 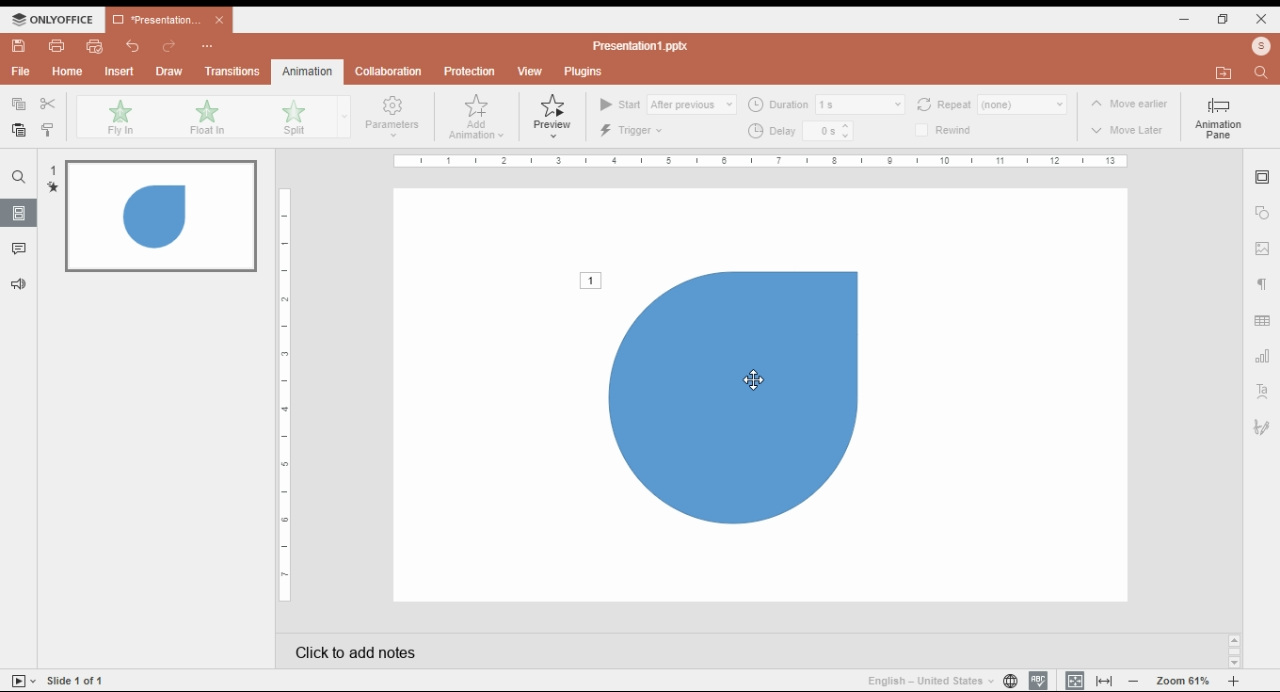 What do you see at coordinates (1263, 283) in the screenshot?
I see `paragraph settings` at bounding box center [1263, 283].